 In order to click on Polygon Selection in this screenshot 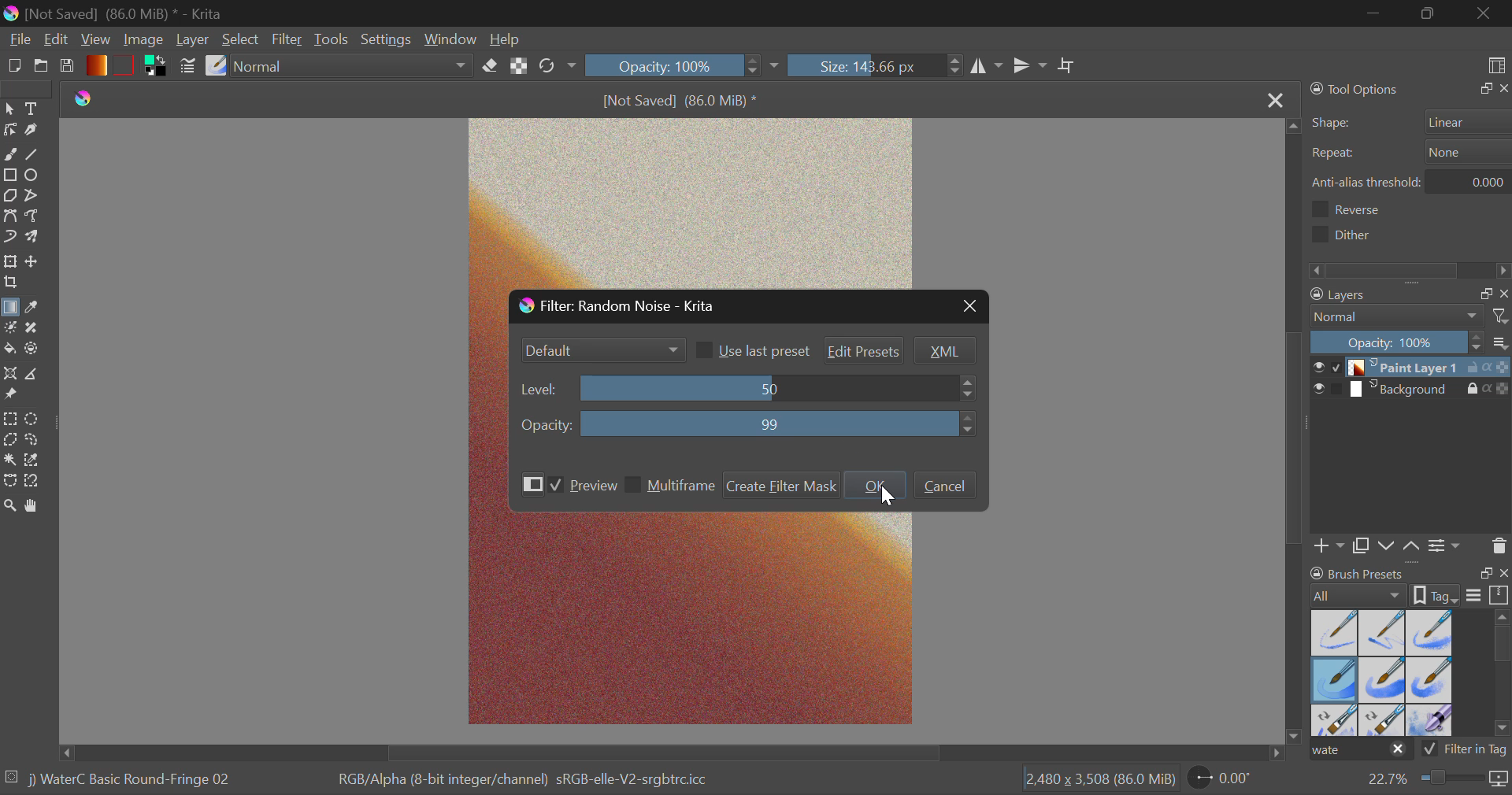, I will do `click(10, 442)`.